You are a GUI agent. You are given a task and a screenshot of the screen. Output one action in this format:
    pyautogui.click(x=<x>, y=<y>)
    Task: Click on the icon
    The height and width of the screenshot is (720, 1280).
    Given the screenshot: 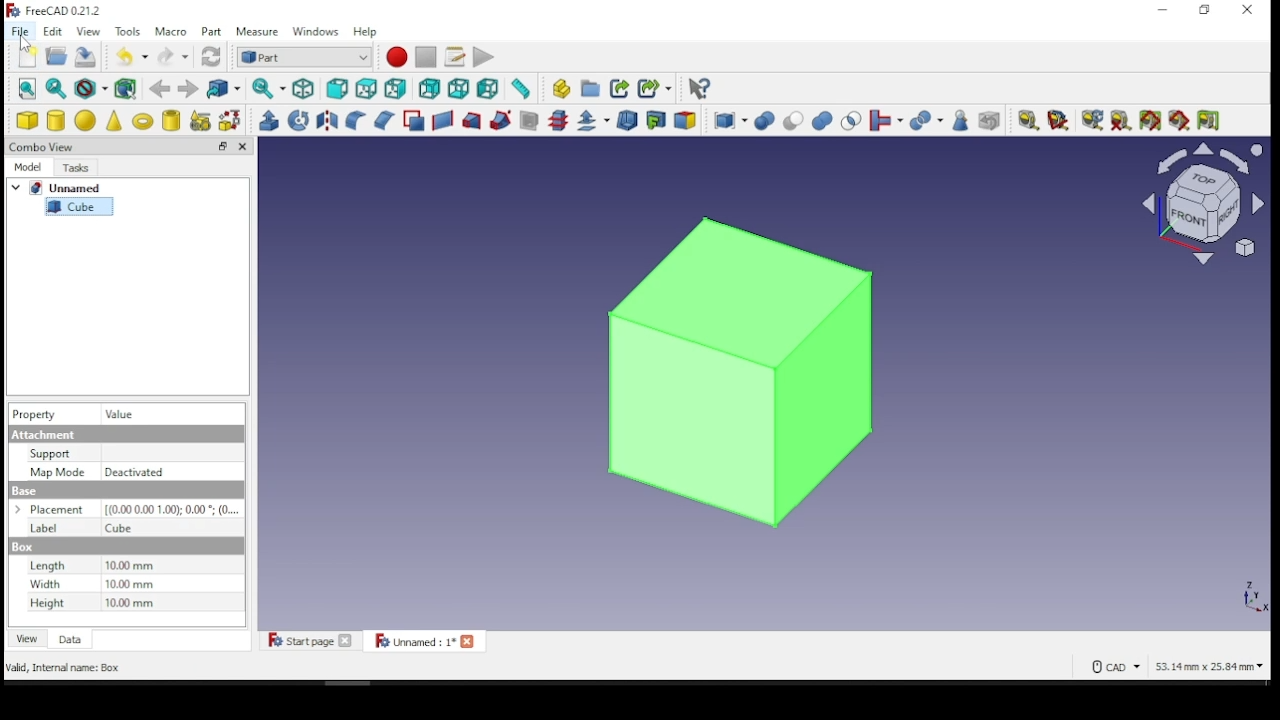 What is the action you would take?
    pyautogui.click(x=57, y=13)
    